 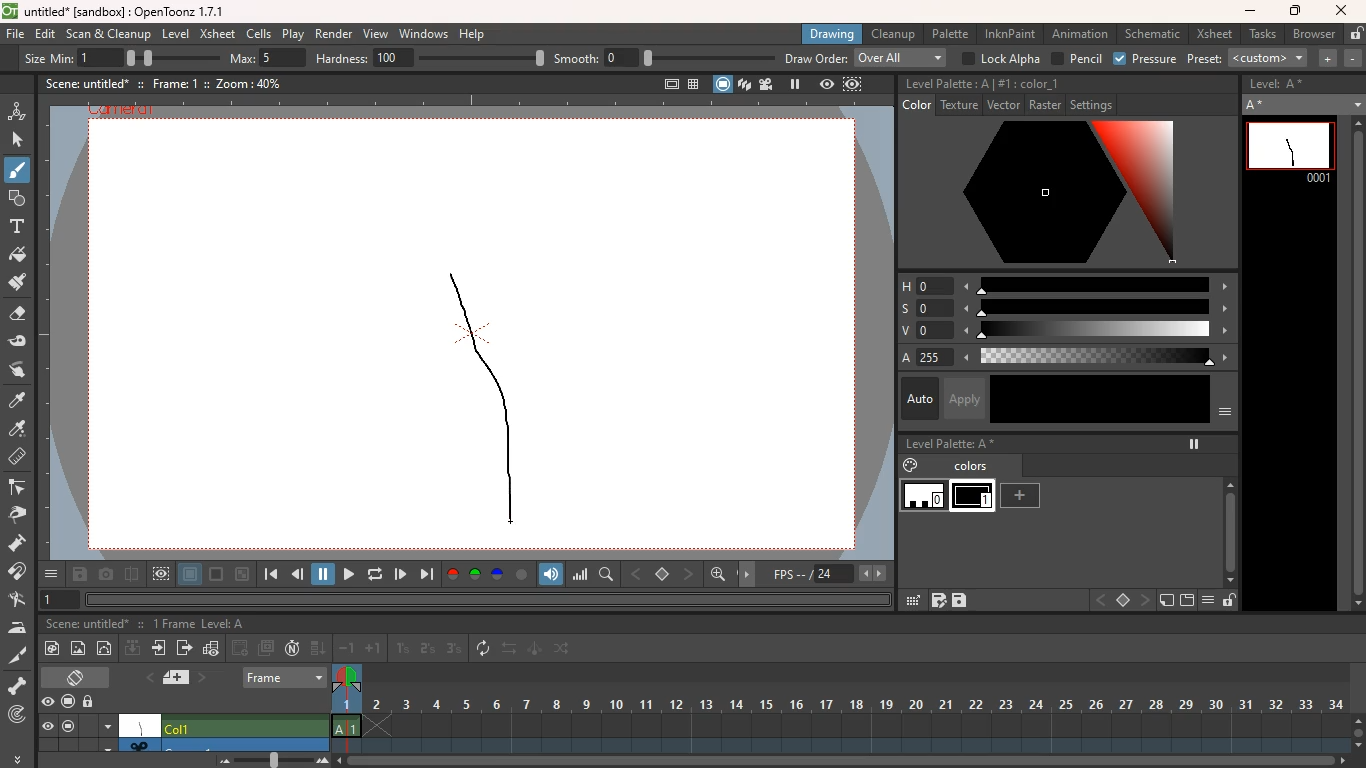 What do you see at coordinates (172, 678) in the screenshot?
I see `layer` at bounding box center [172, 678].